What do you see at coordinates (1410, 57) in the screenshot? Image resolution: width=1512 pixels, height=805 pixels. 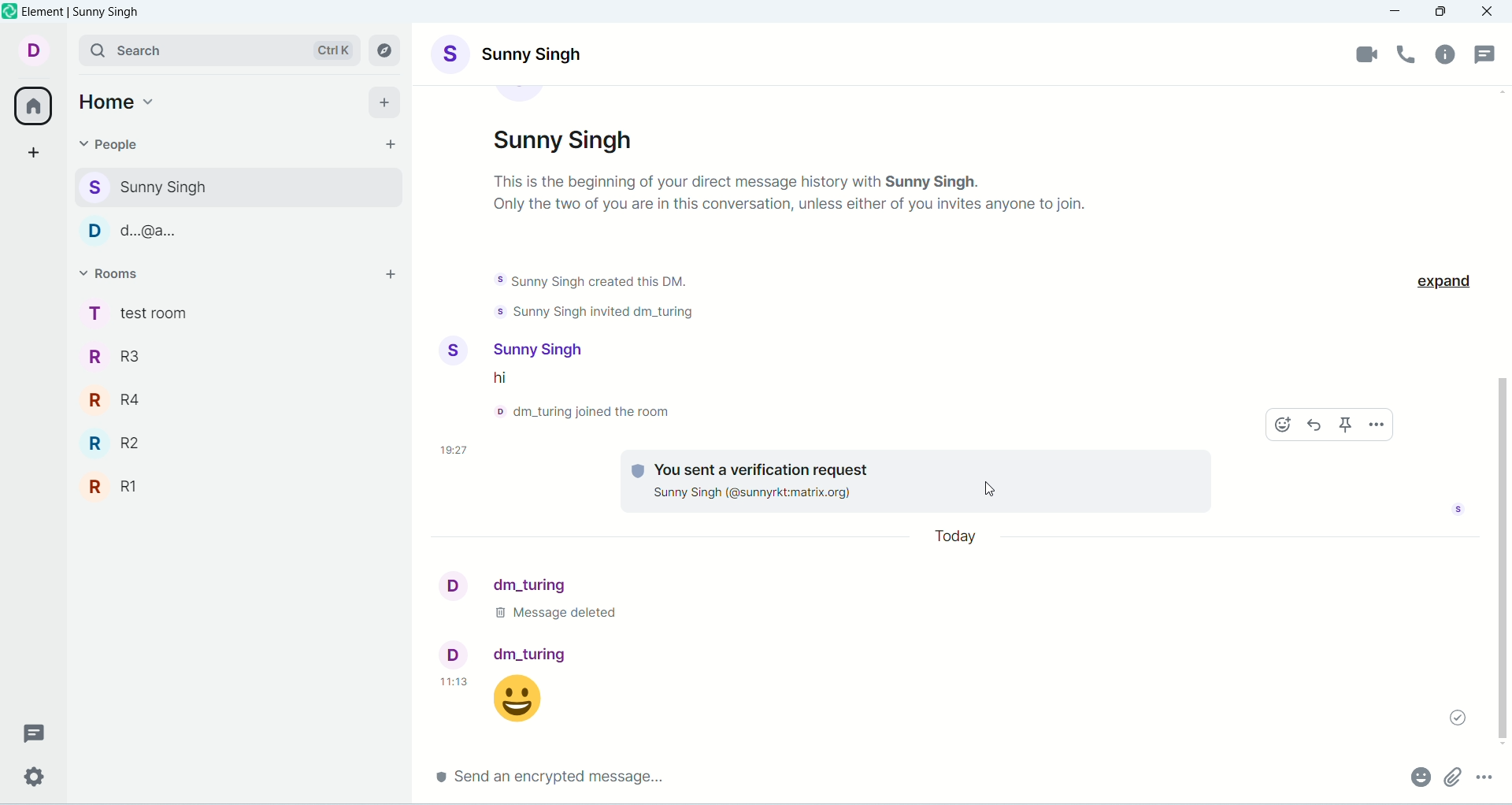 I see `voice call` at bounding box center [1410, 57].